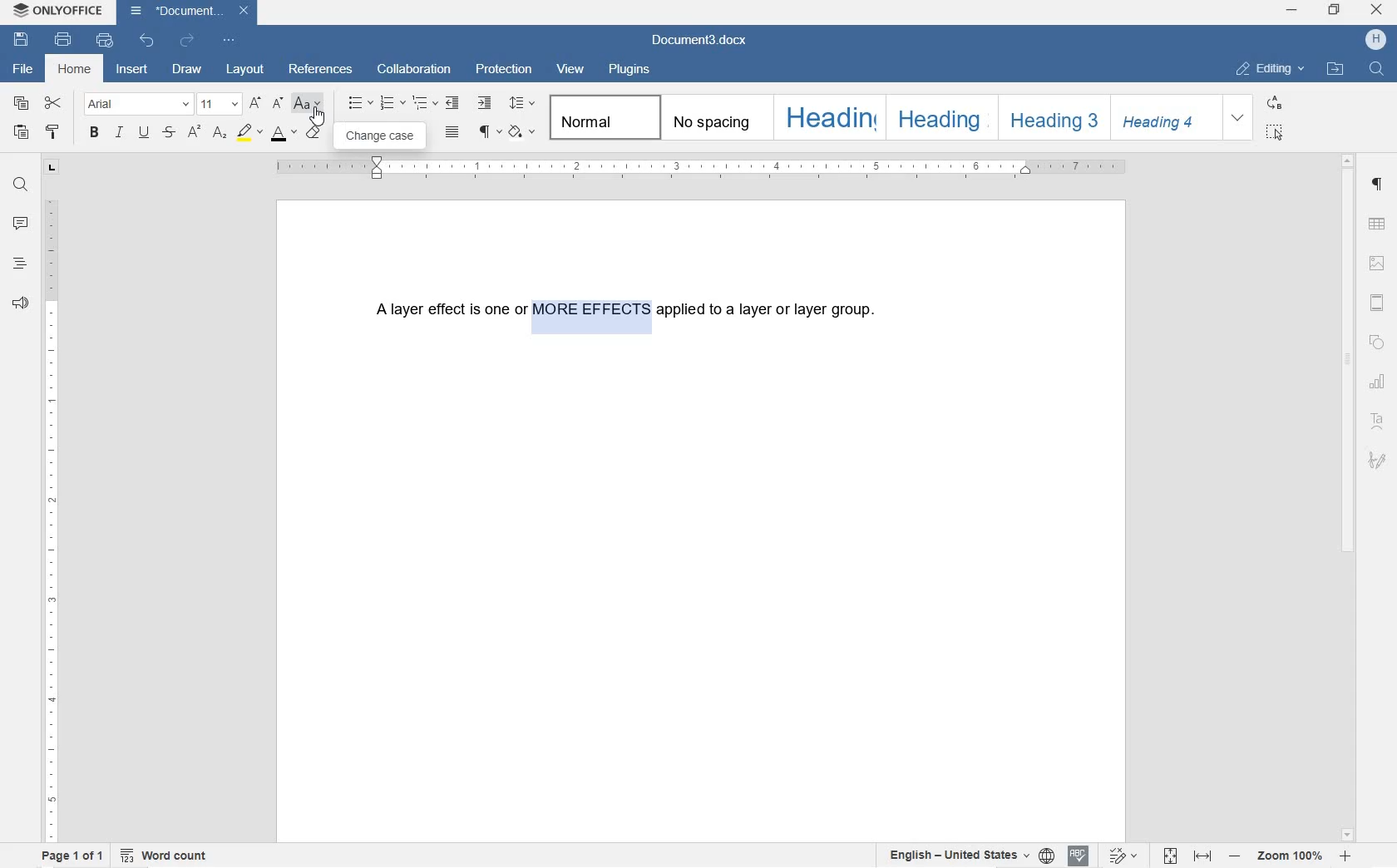 The image size is (1397, 868). Describe the element at coordinates (590, 313) in the screenshot. I see `TEXT HIGHLIGHTED` at that location.